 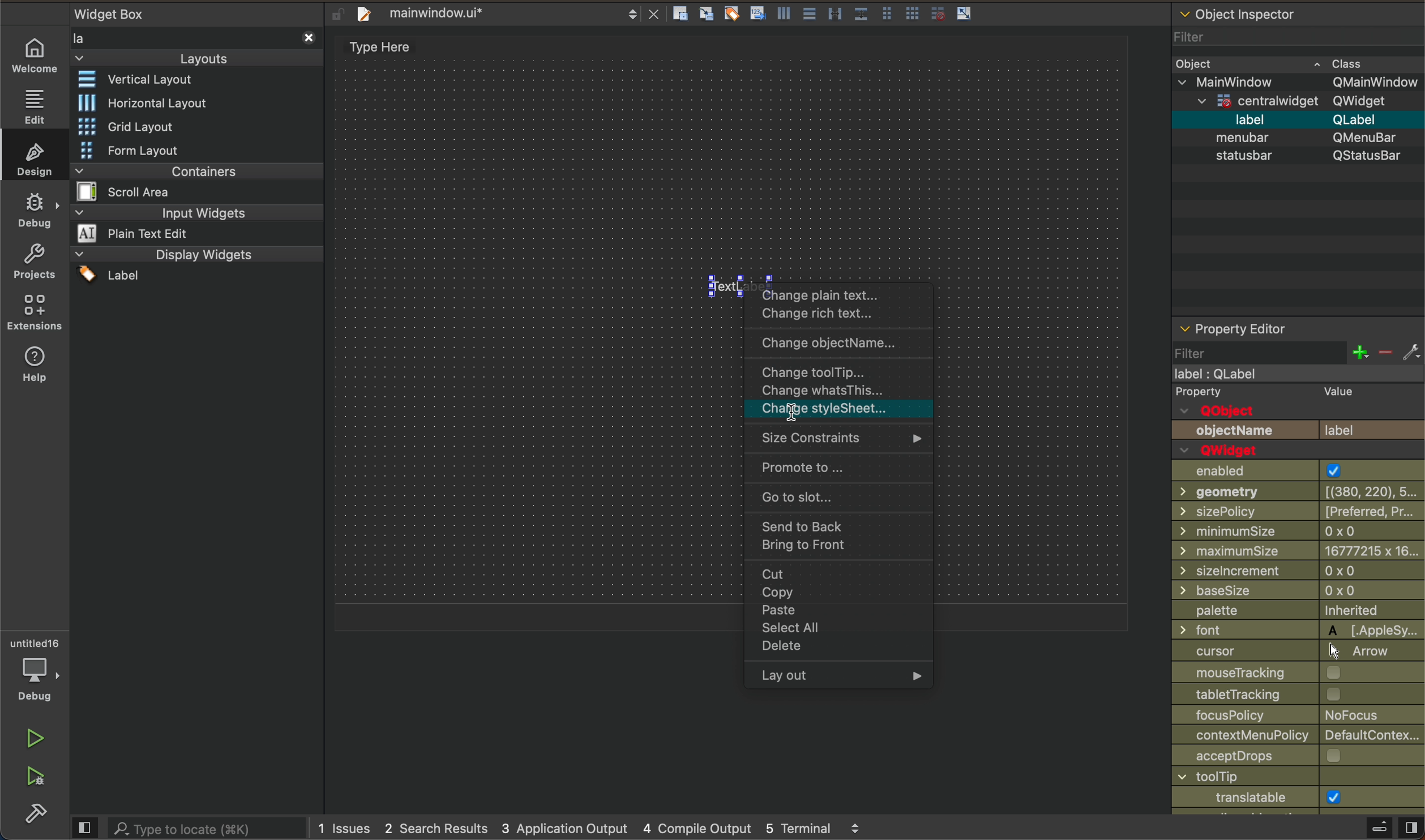 I want to click on promote to, so click(x=833, y=469).